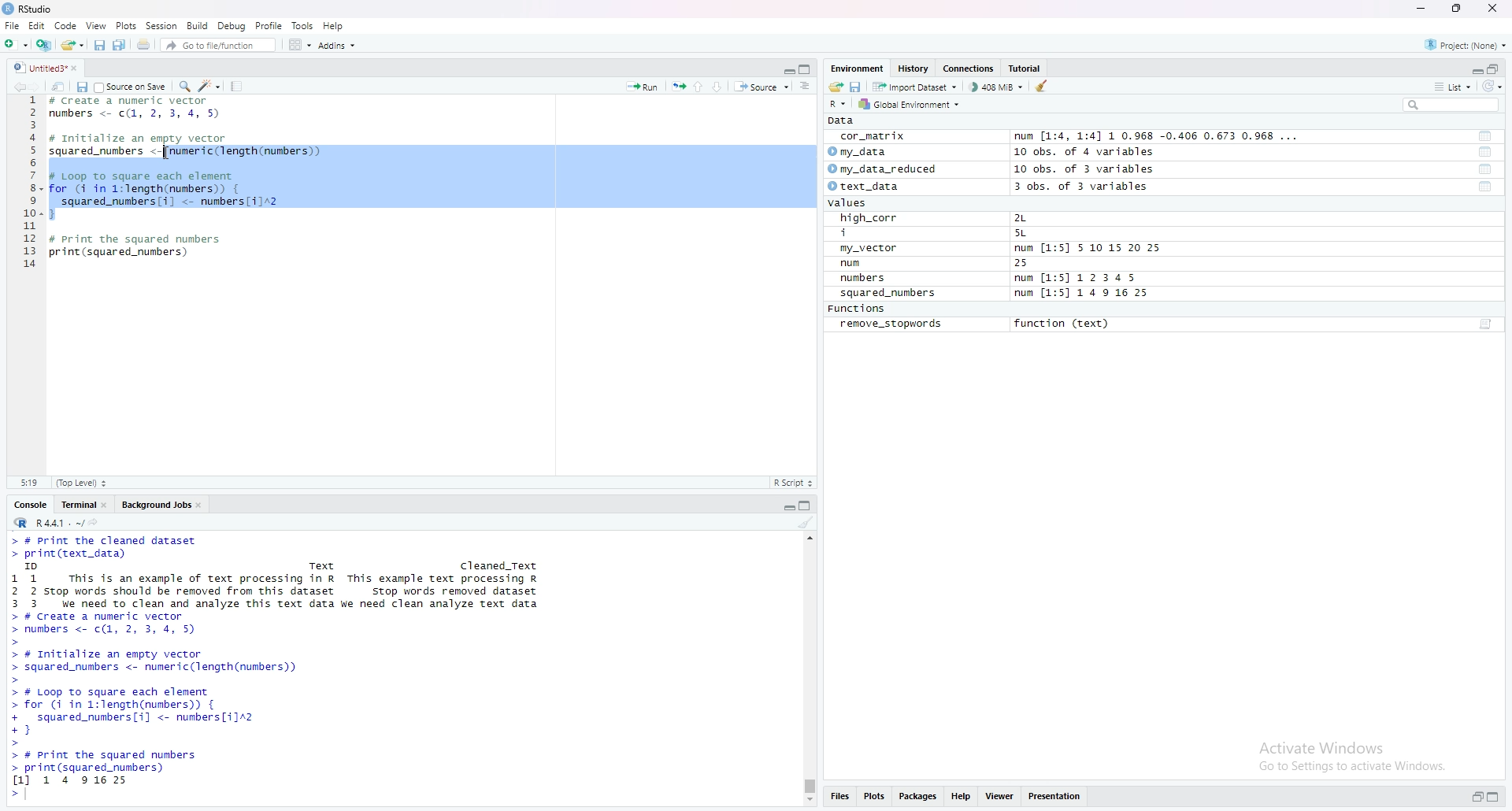 This screenshot has width=1512, height=811. What do you see at coordinates (910, 104) in the screenshot?
I see `Global Environment` at bounding box center [910, 104].